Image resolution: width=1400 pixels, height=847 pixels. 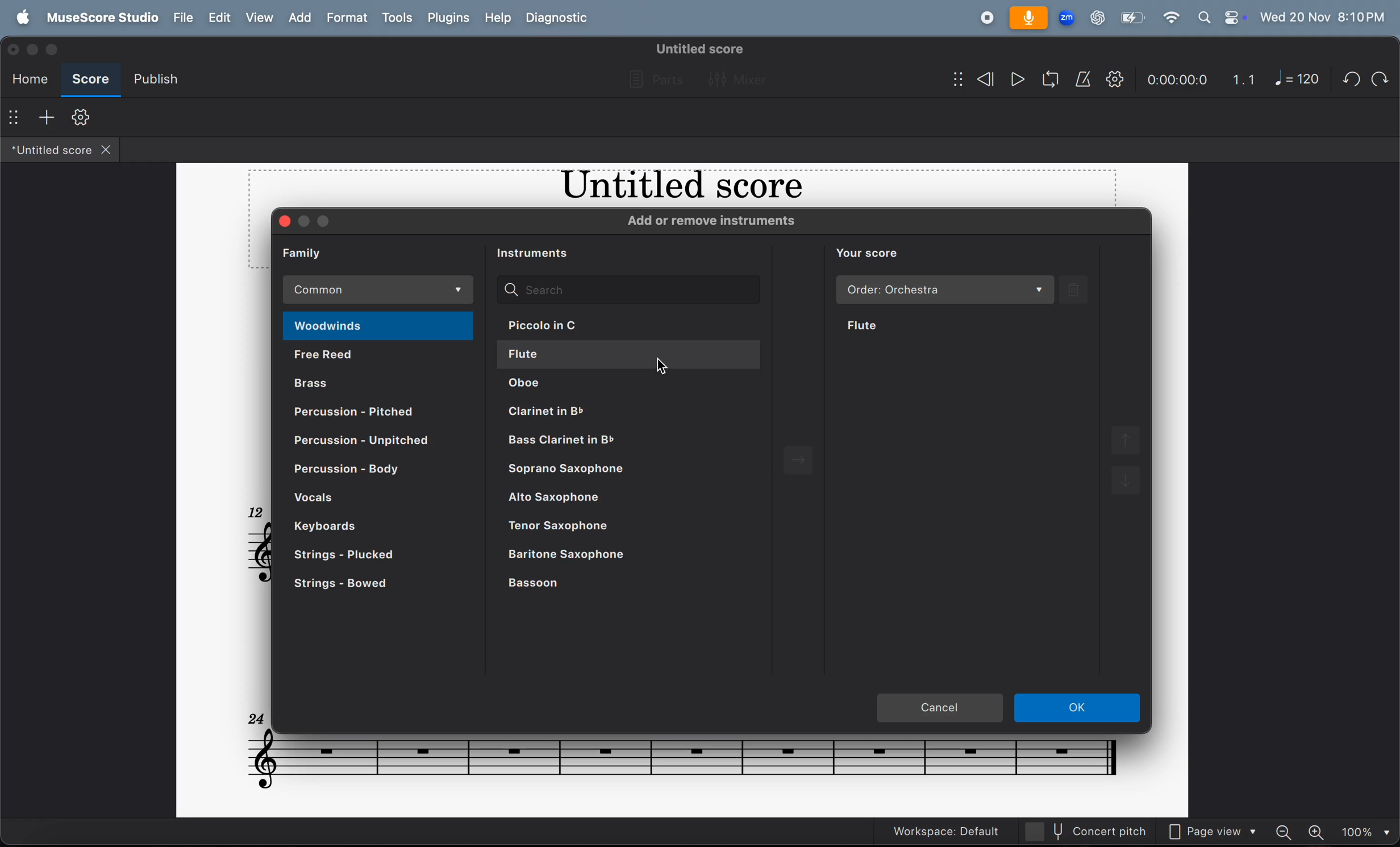 I want to click on zoom, so click(x=1067, y=17).